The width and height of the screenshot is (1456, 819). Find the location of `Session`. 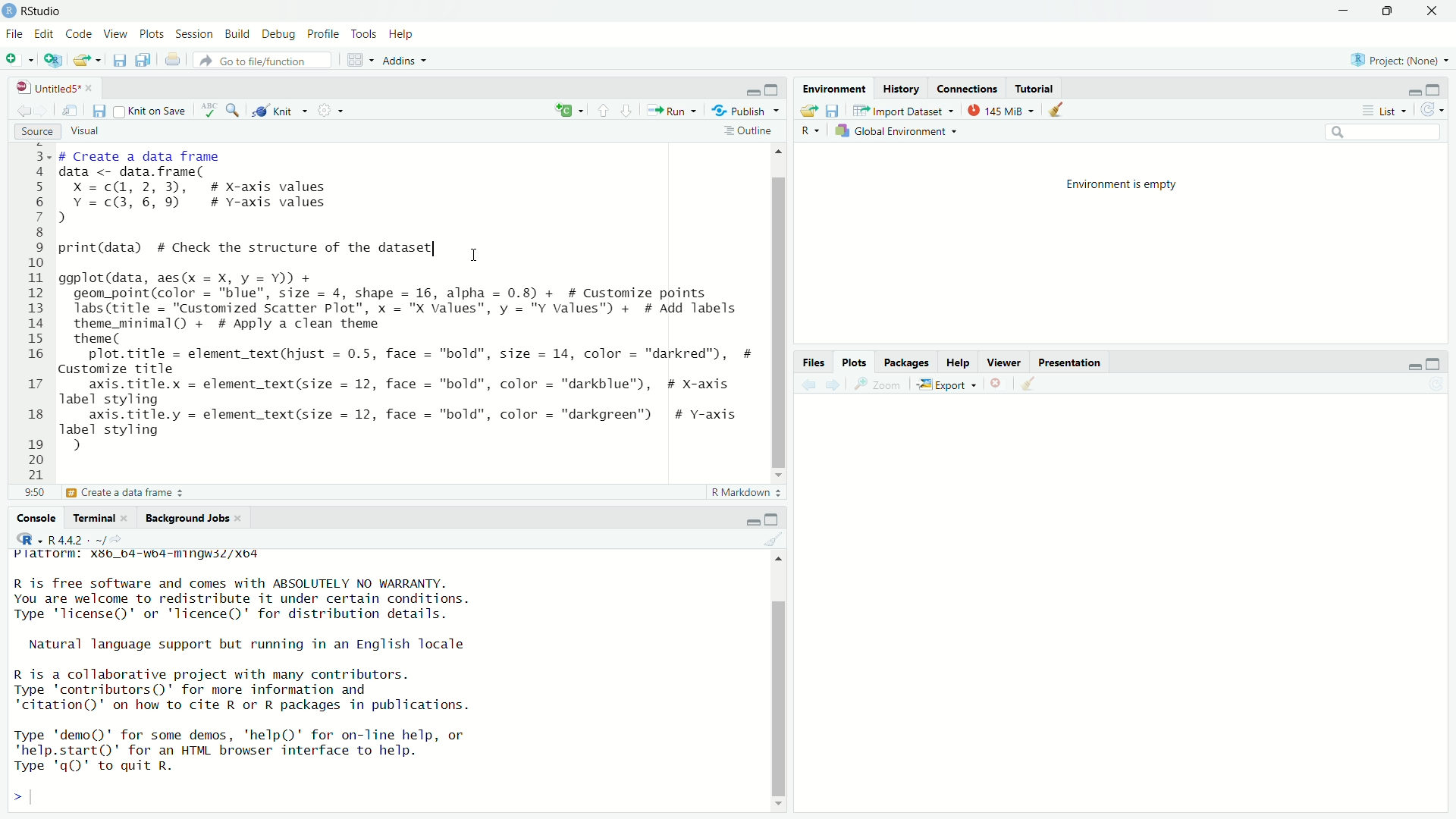

Session is located at coordinates (196, 36).